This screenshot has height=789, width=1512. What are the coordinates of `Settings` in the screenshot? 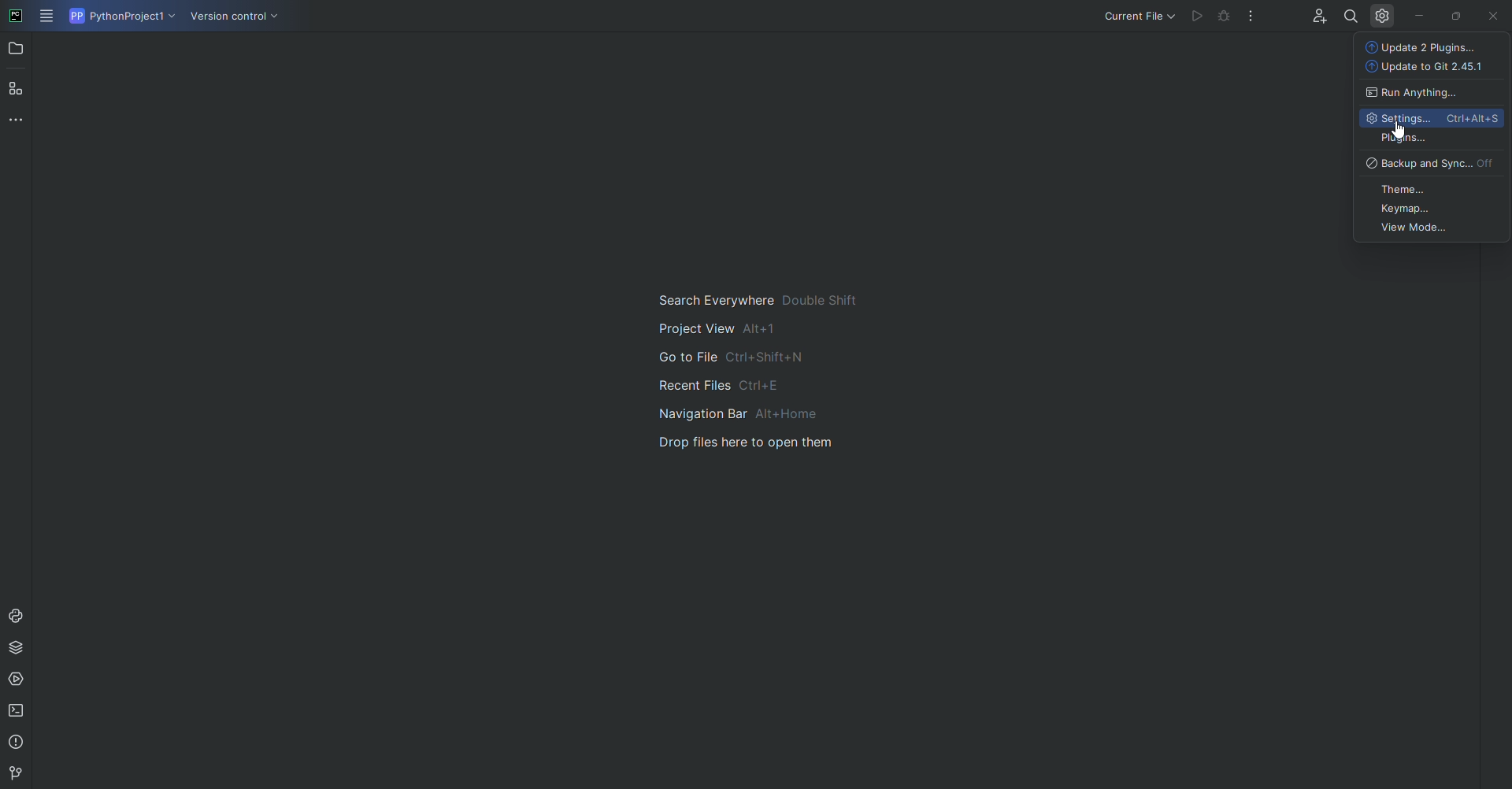 It's located at (1379, 15).